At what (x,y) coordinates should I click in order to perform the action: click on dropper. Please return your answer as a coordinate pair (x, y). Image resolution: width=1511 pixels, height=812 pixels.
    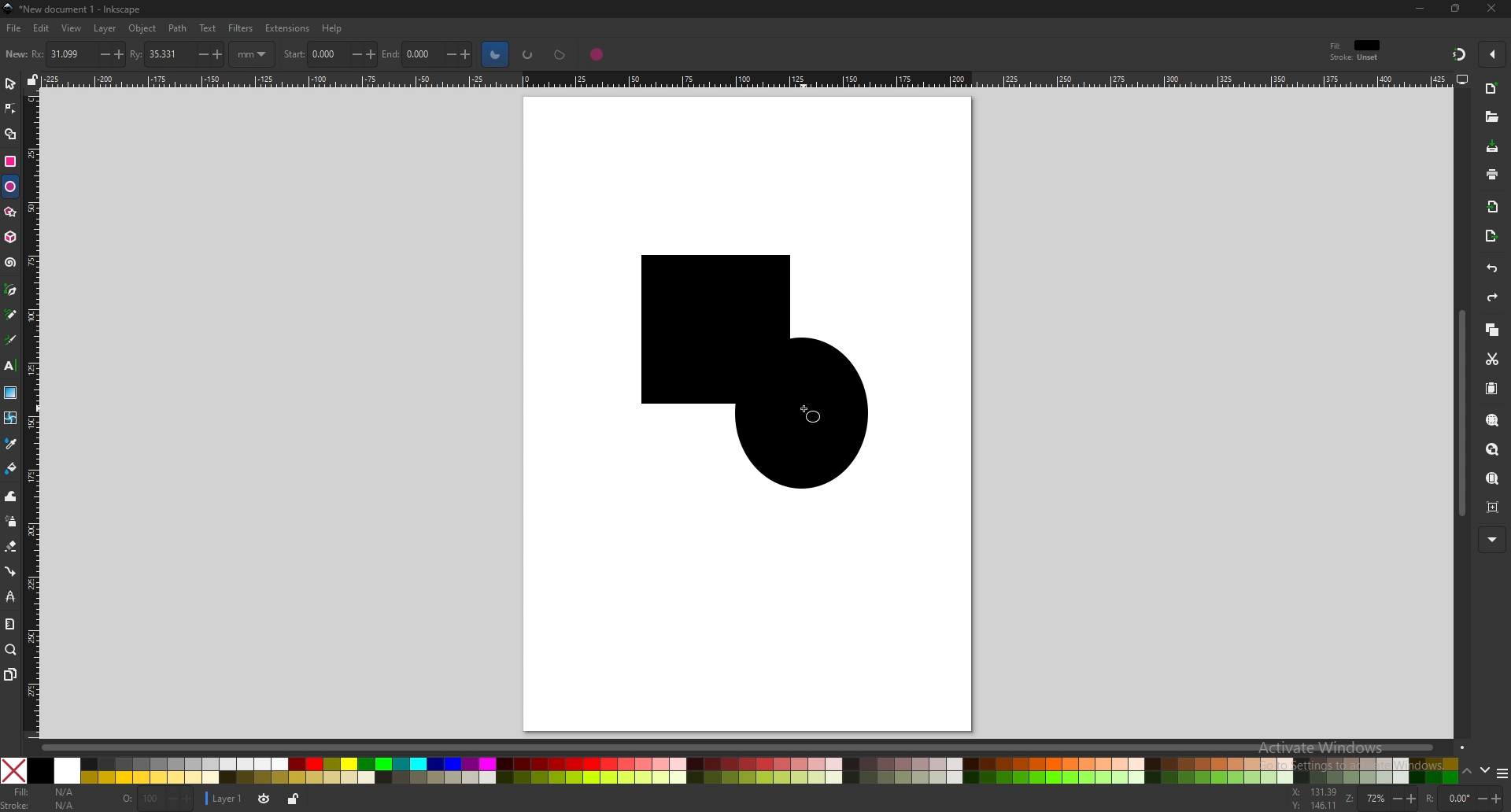
    Looking at the image, I should click on (12, 445).